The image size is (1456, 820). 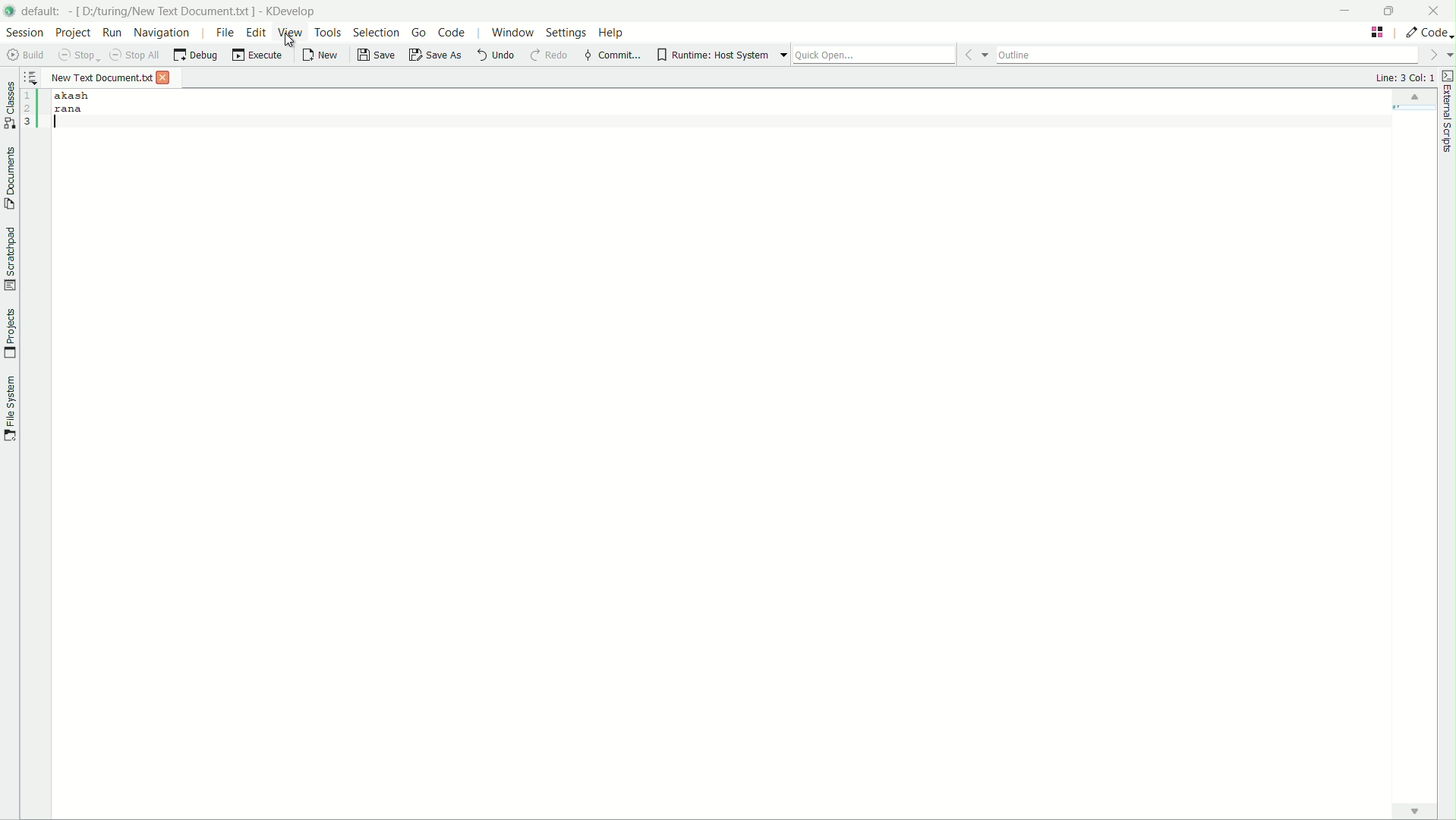 What do you see at coordinates (288, 31) in the screenshot?
I see `view menu` at bounding box center [288, 31].